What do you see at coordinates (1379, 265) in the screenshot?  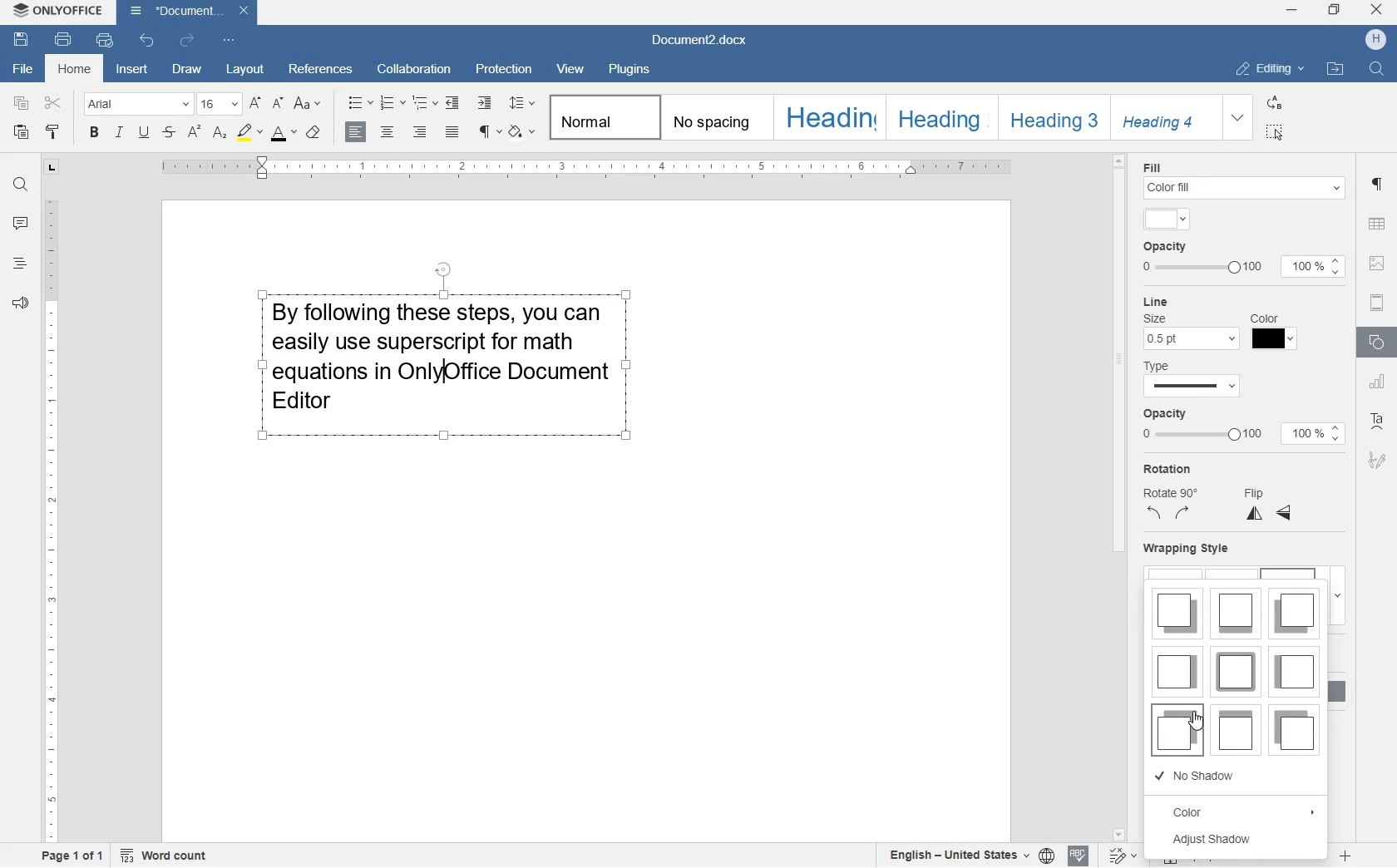 I see `image` at bounding box center [1379, 265].